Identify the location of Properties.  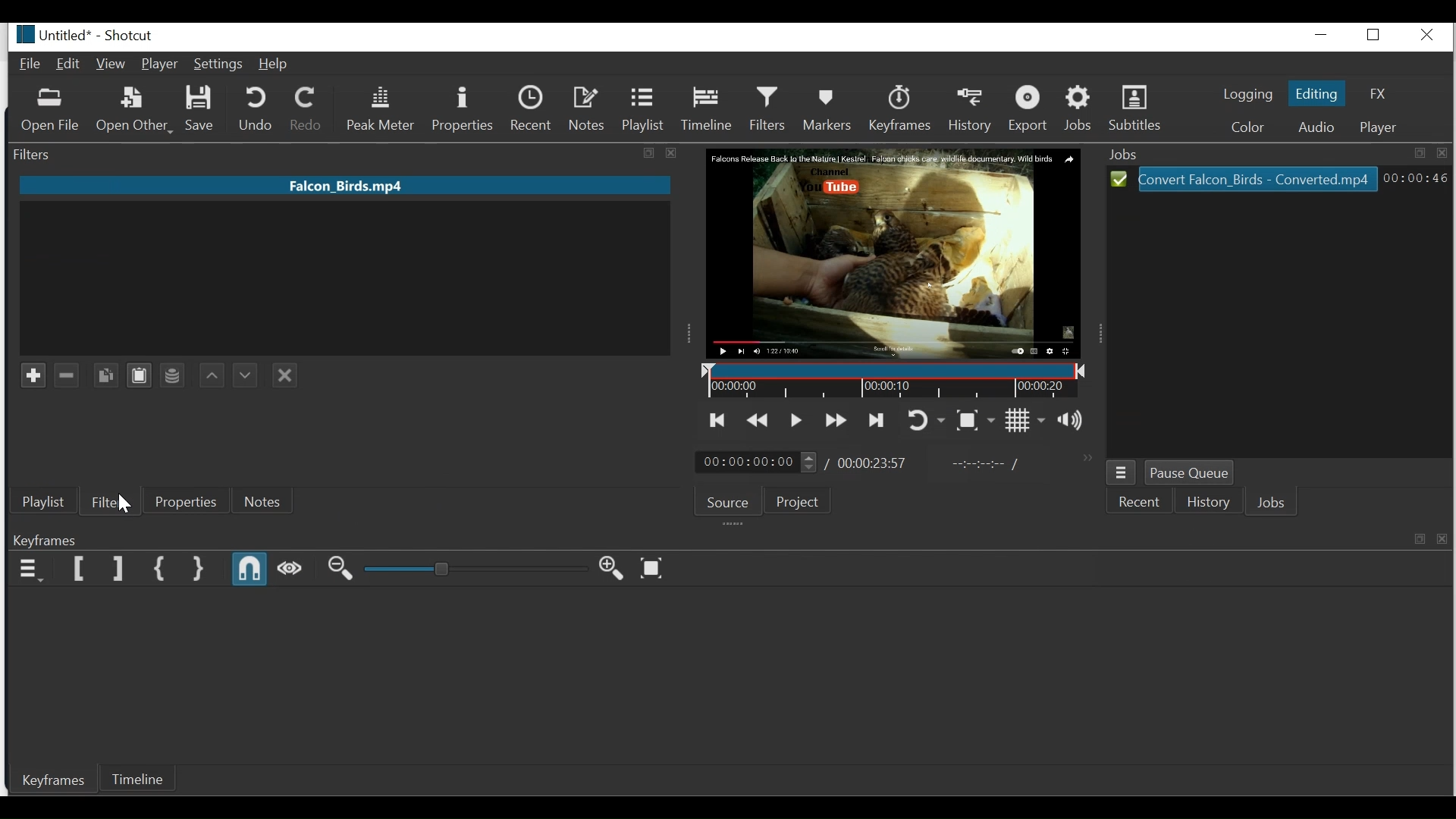
(461, 108).